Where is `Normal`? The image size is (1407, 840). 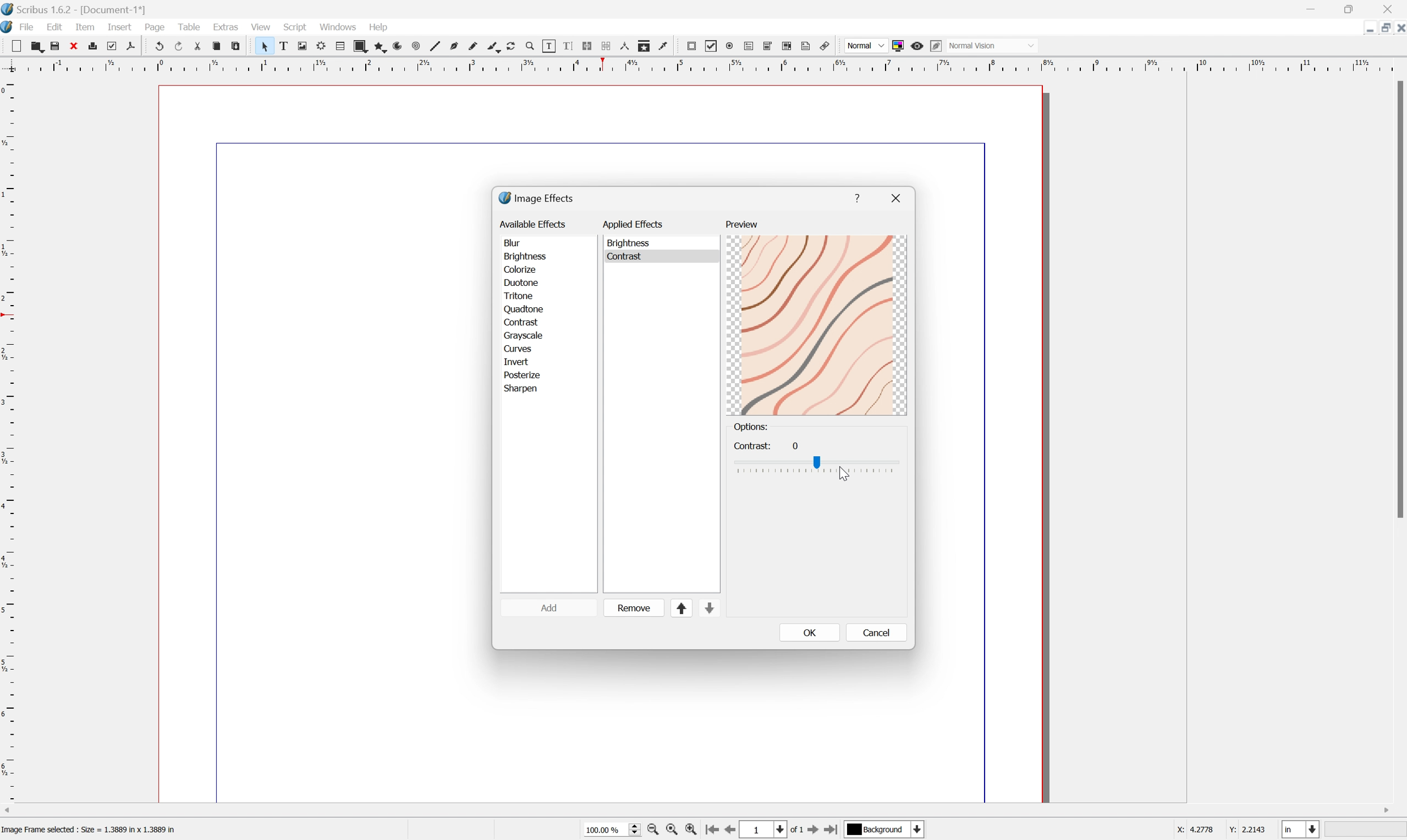
Normal is located at coordinates (865, 46).